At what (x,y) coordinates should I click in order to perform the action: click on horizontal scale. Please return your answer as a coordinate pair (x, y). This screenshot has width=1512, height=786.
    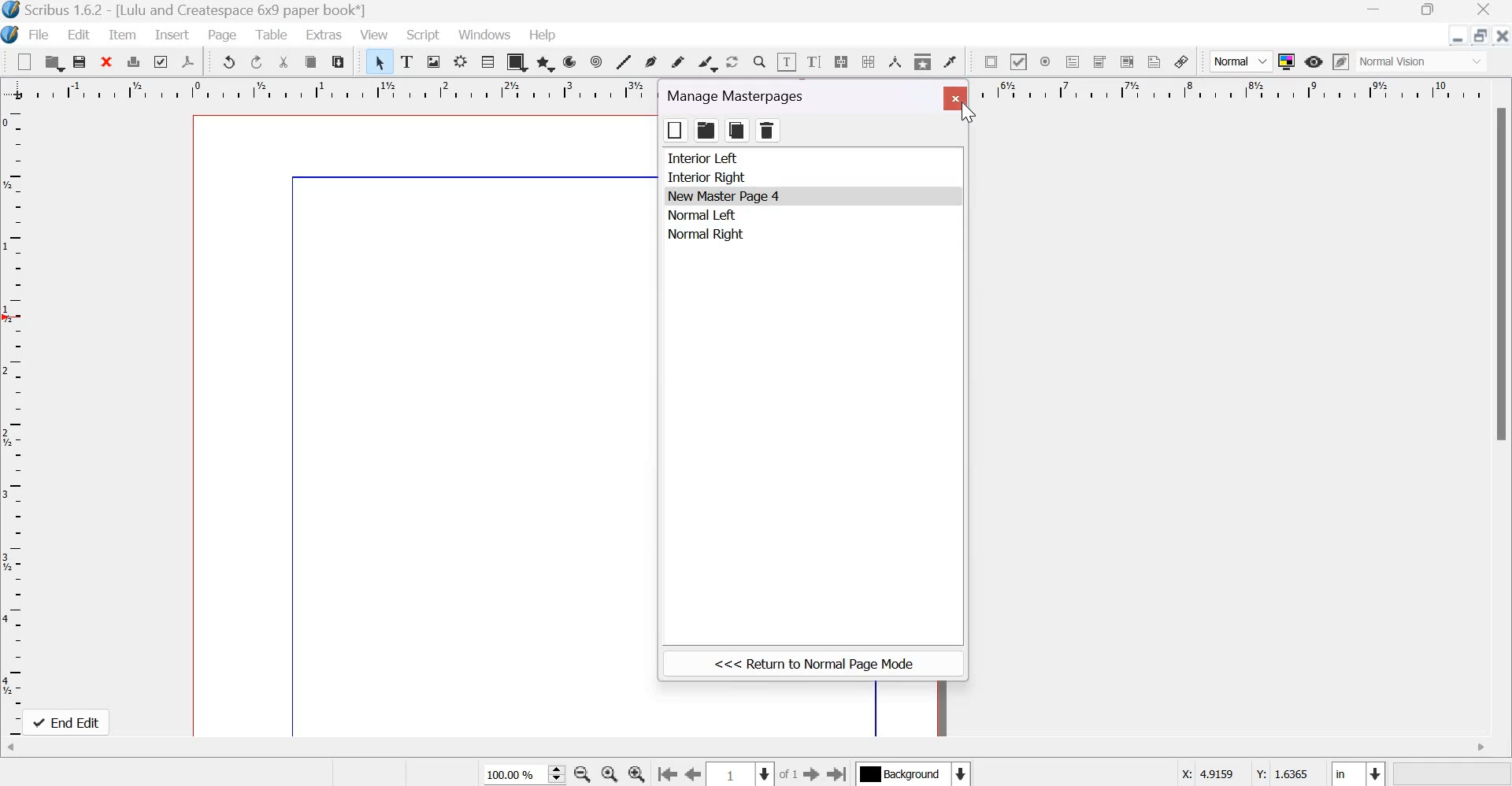
    Looking at the image, I should click on (1230, 91).